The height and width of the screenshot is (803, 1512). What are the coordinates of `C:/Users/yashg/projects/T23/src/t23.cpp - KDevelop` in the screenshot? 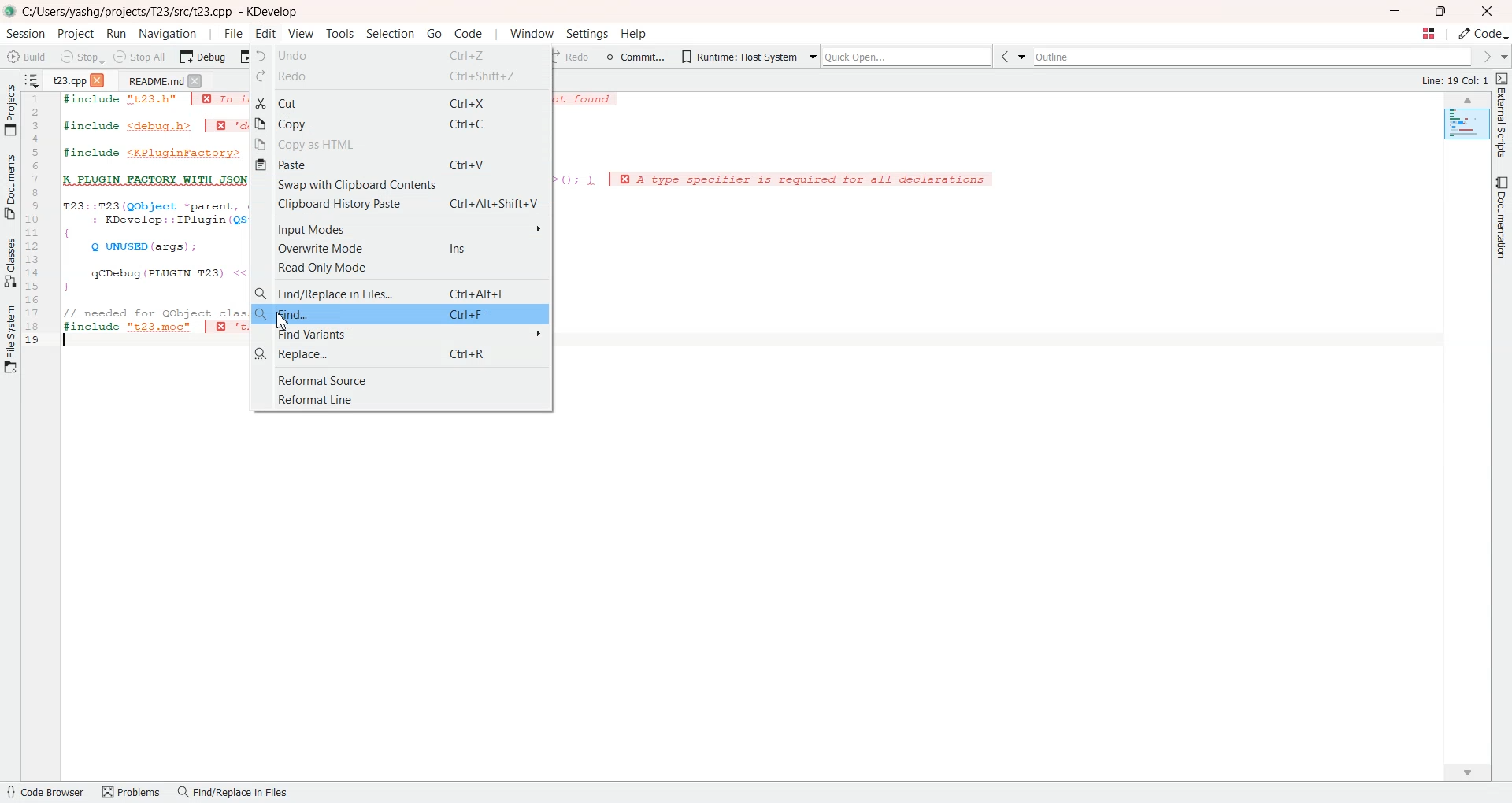 It's located at (163, 12).